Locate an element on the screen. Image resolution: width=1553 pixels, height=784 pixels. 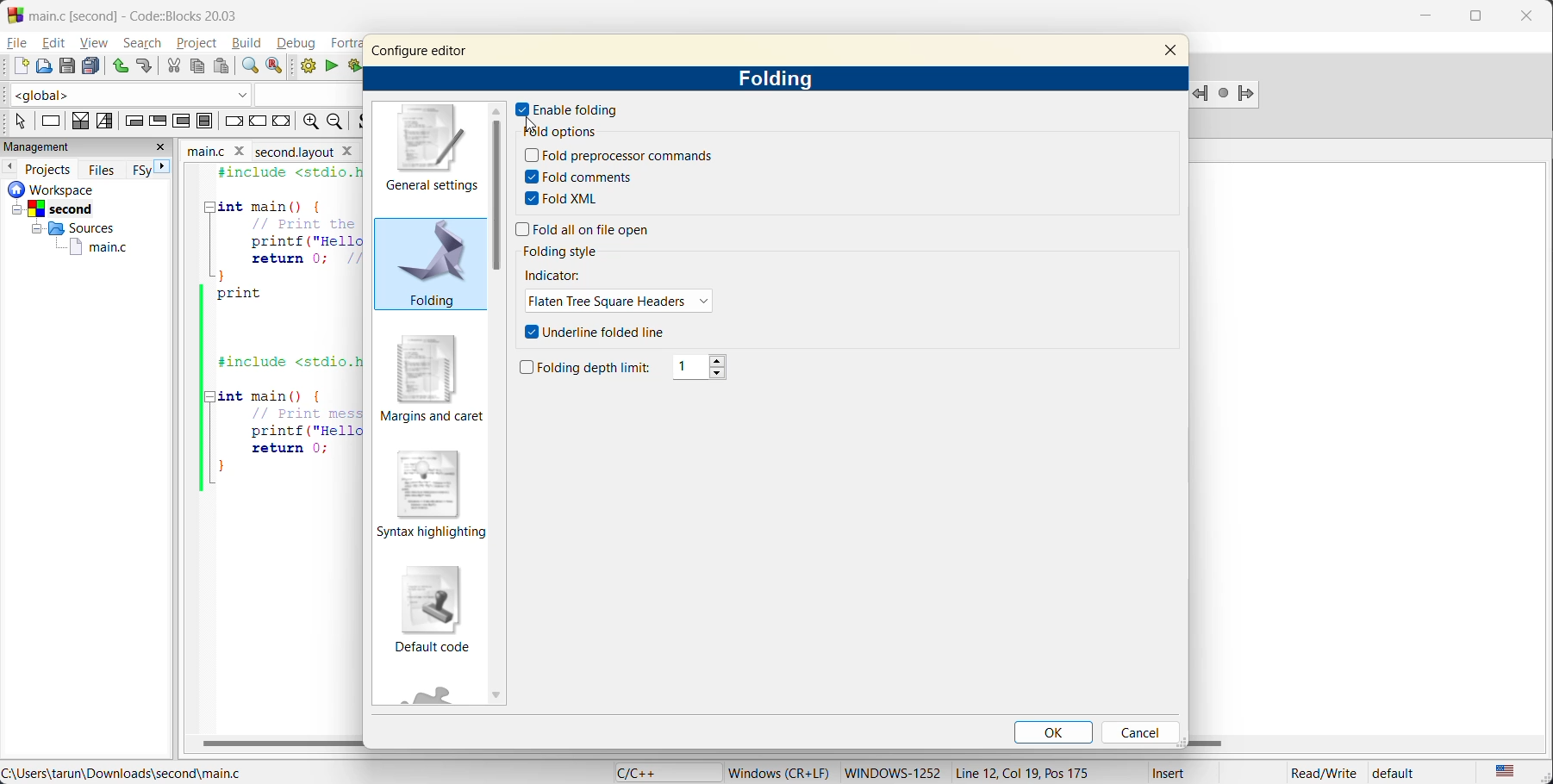
build is located at coordinates (304, 65).